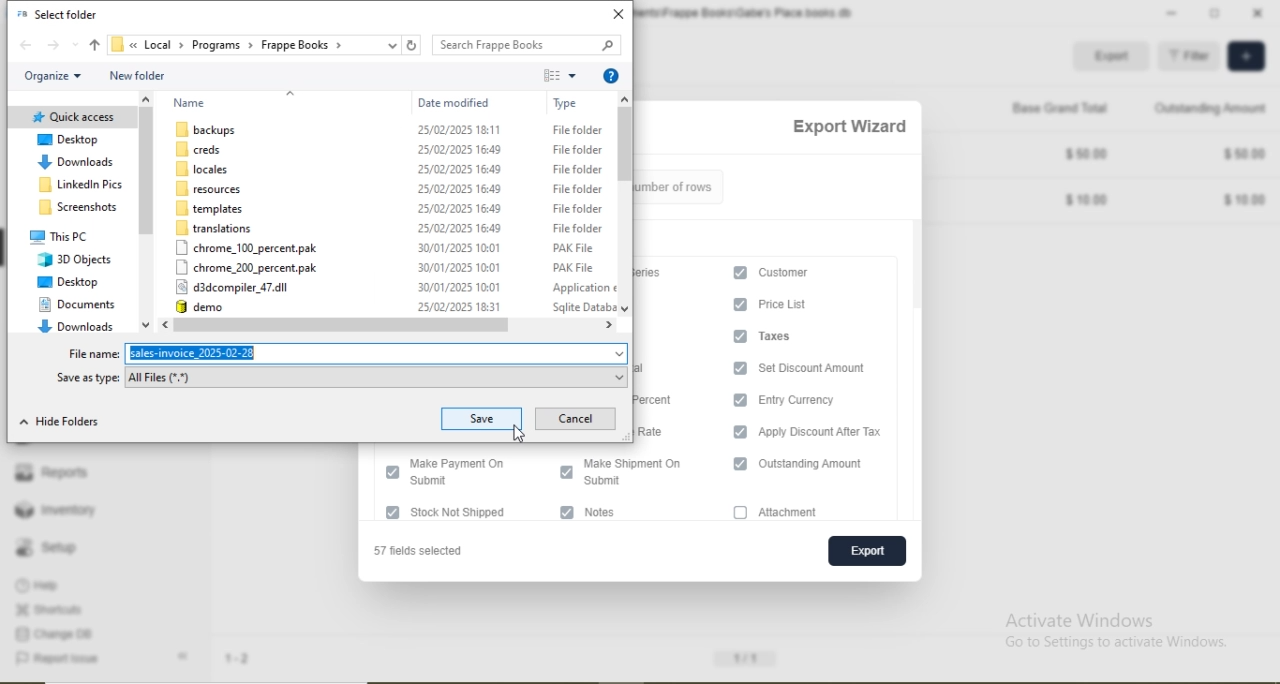  I want to click on Sqlte Databa, so click(584, 307).